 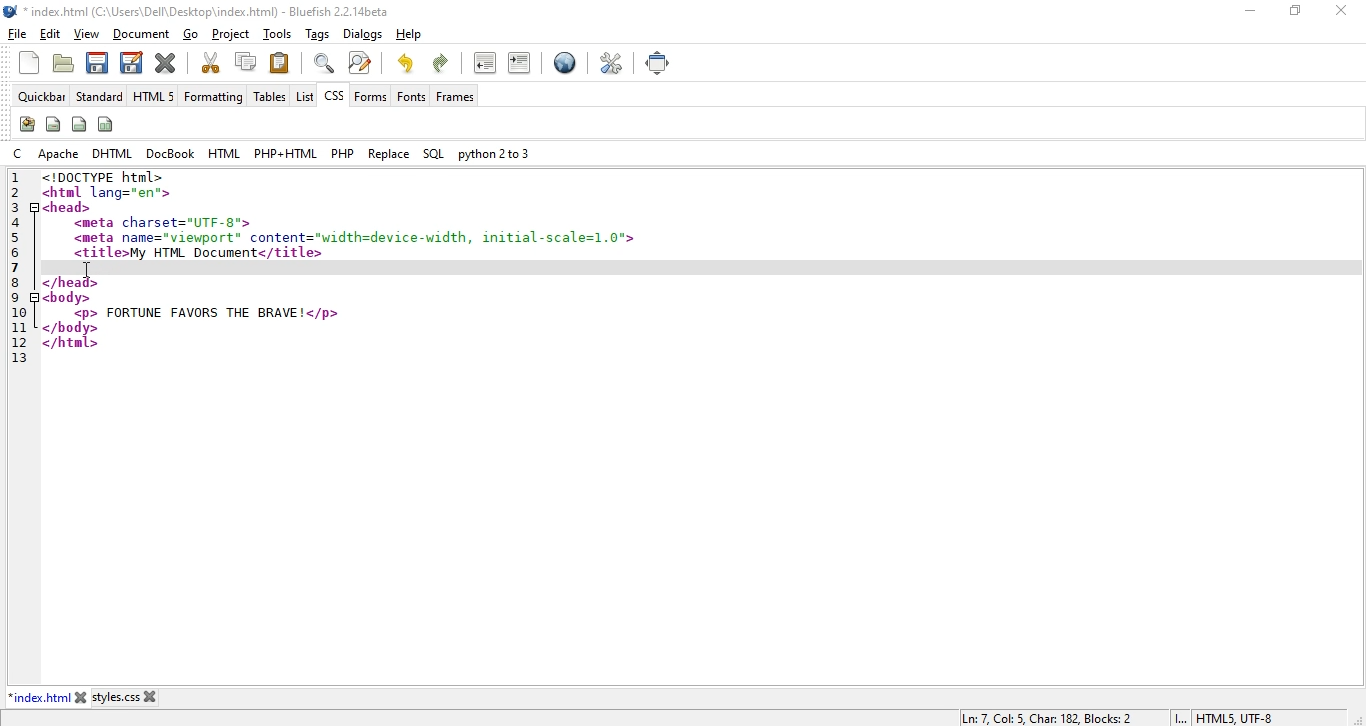 What do you see at coordinates (20, 254) in the screenshot?
I see `6` at bounding box center [20, 254].